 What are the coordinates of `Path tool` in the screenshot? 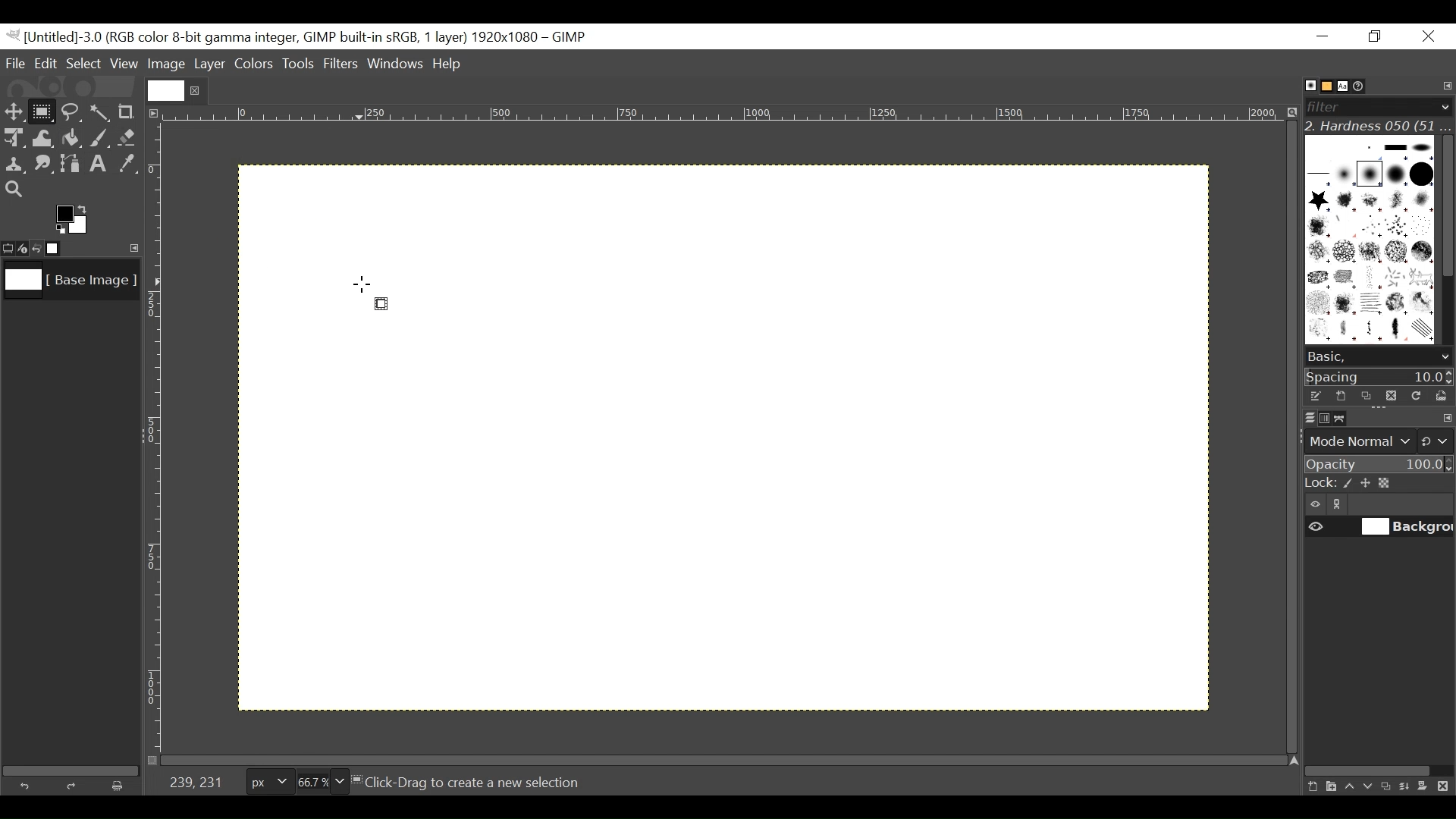 It's located at (72, 164).